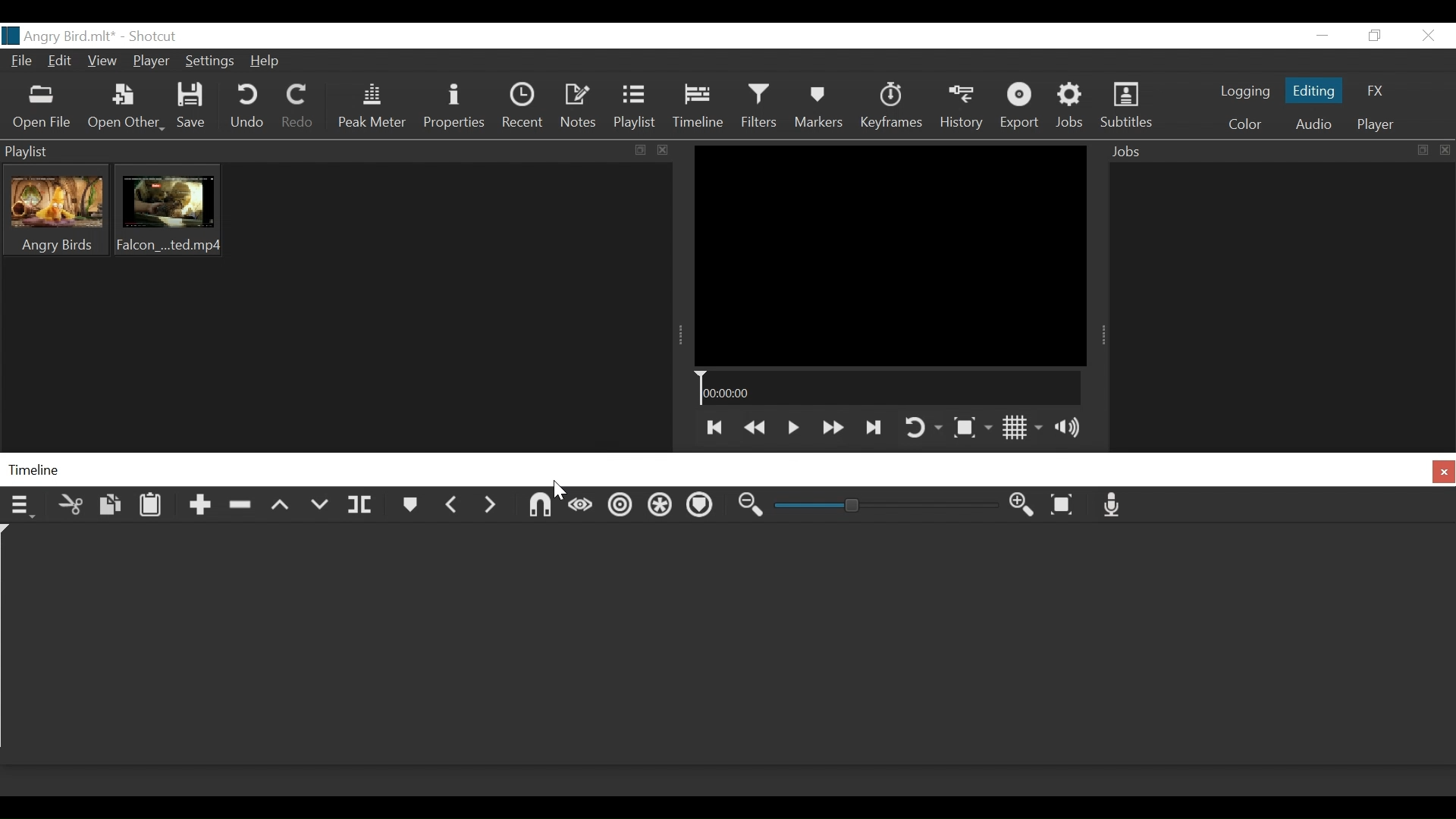  What do you see at coordinates (240, 510) in the screenshot?
I see `Ripple Delete` at bounding box center [240, 510].